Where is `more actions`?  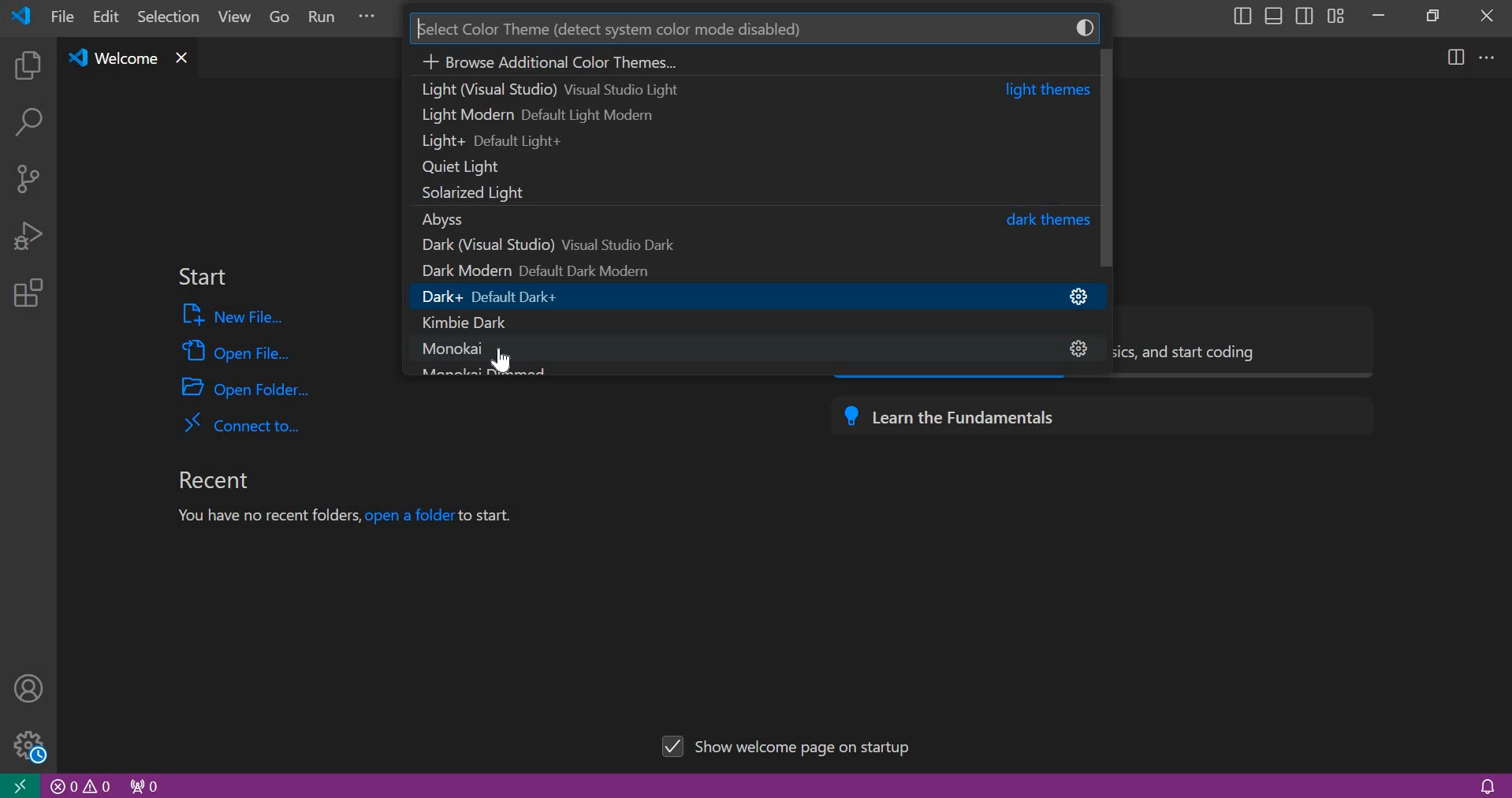 more actions is located at coordinates (1488, 56).